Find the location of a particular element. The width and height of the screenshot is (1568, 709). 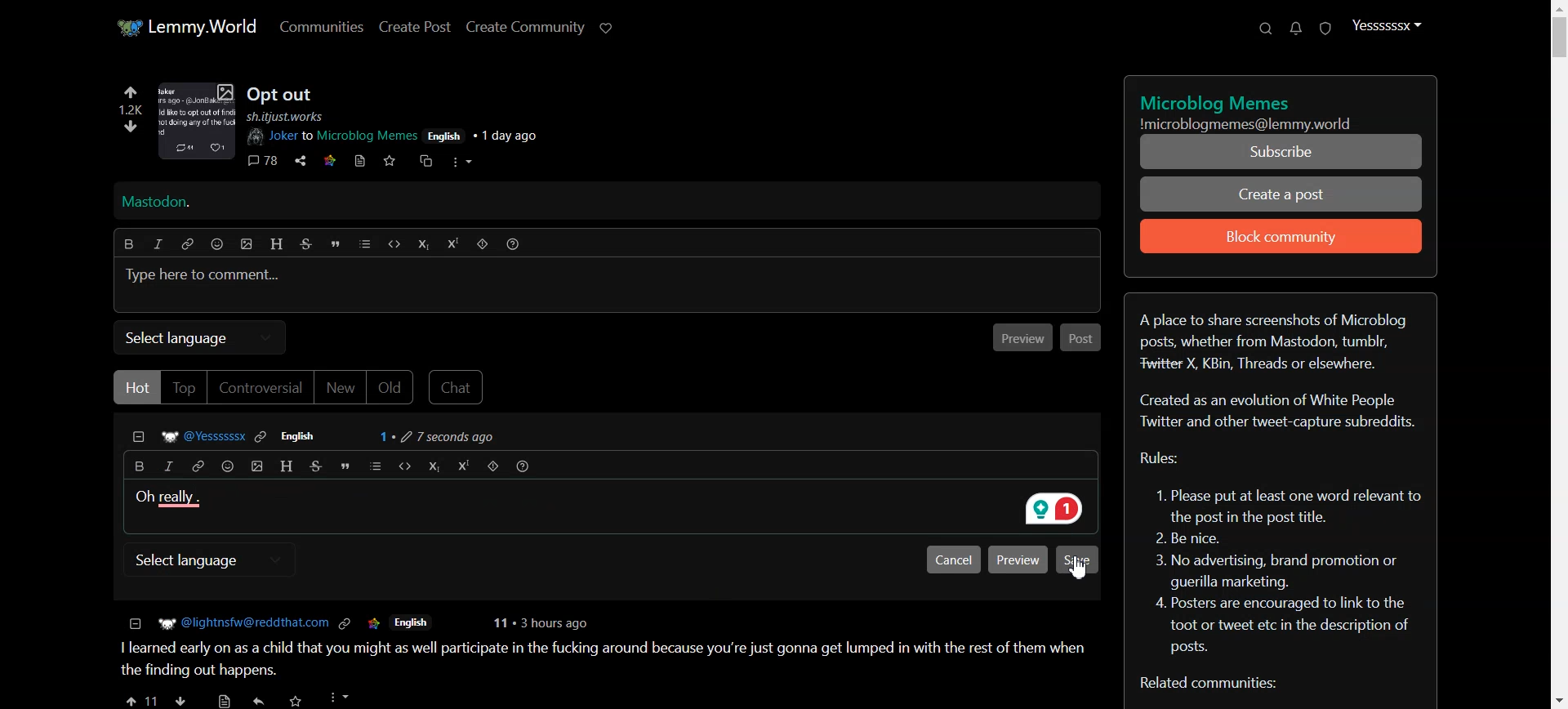

Subscribe is located at coordinates (1279, 152).